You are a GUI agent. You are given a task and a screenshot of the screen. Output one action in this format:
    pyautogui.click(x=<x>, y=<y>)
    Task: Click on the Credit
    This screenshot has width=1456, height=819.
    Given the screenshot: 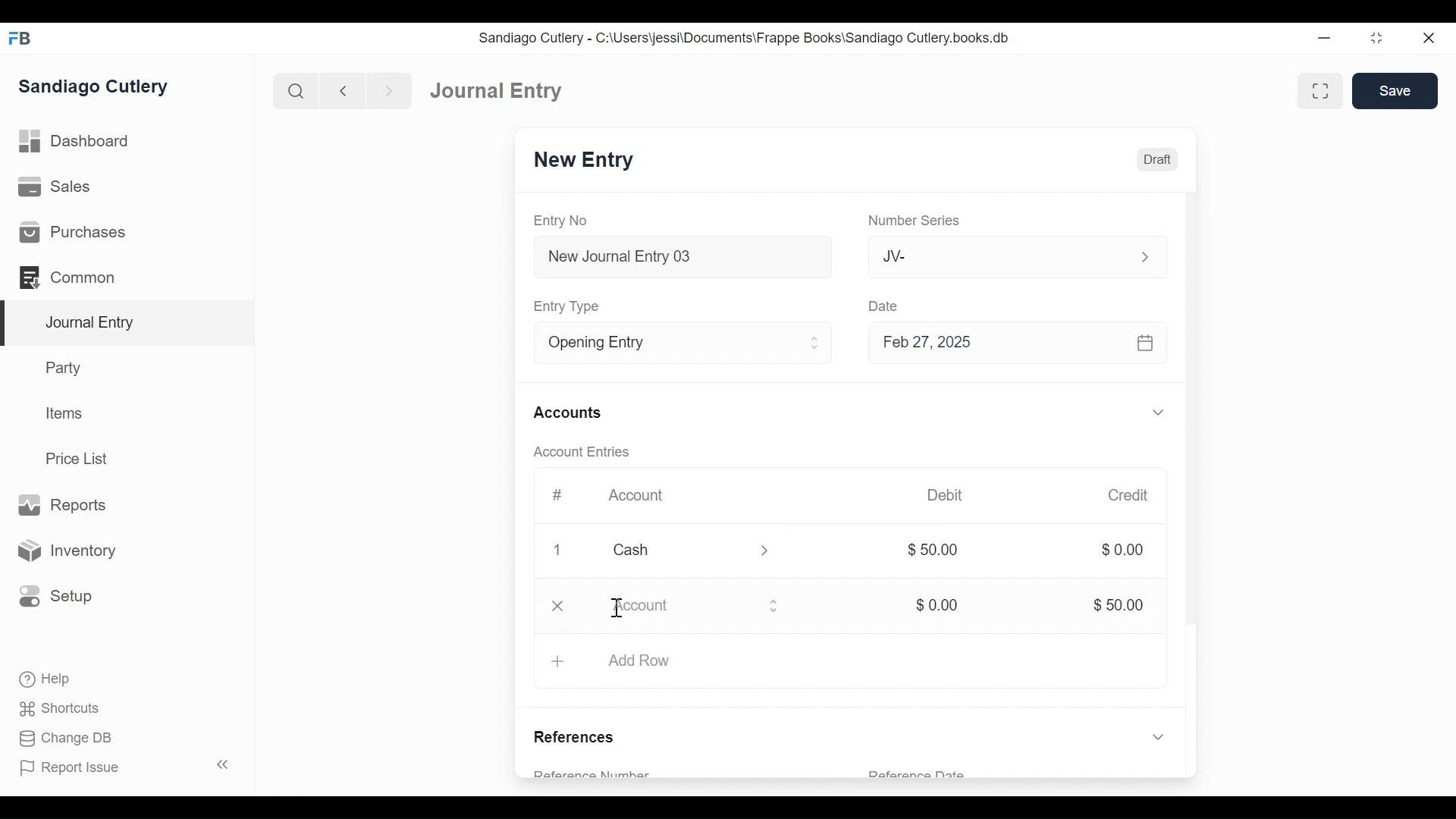 What is the action you would take?
    pyautogui.click(x=1130, y=495)
    